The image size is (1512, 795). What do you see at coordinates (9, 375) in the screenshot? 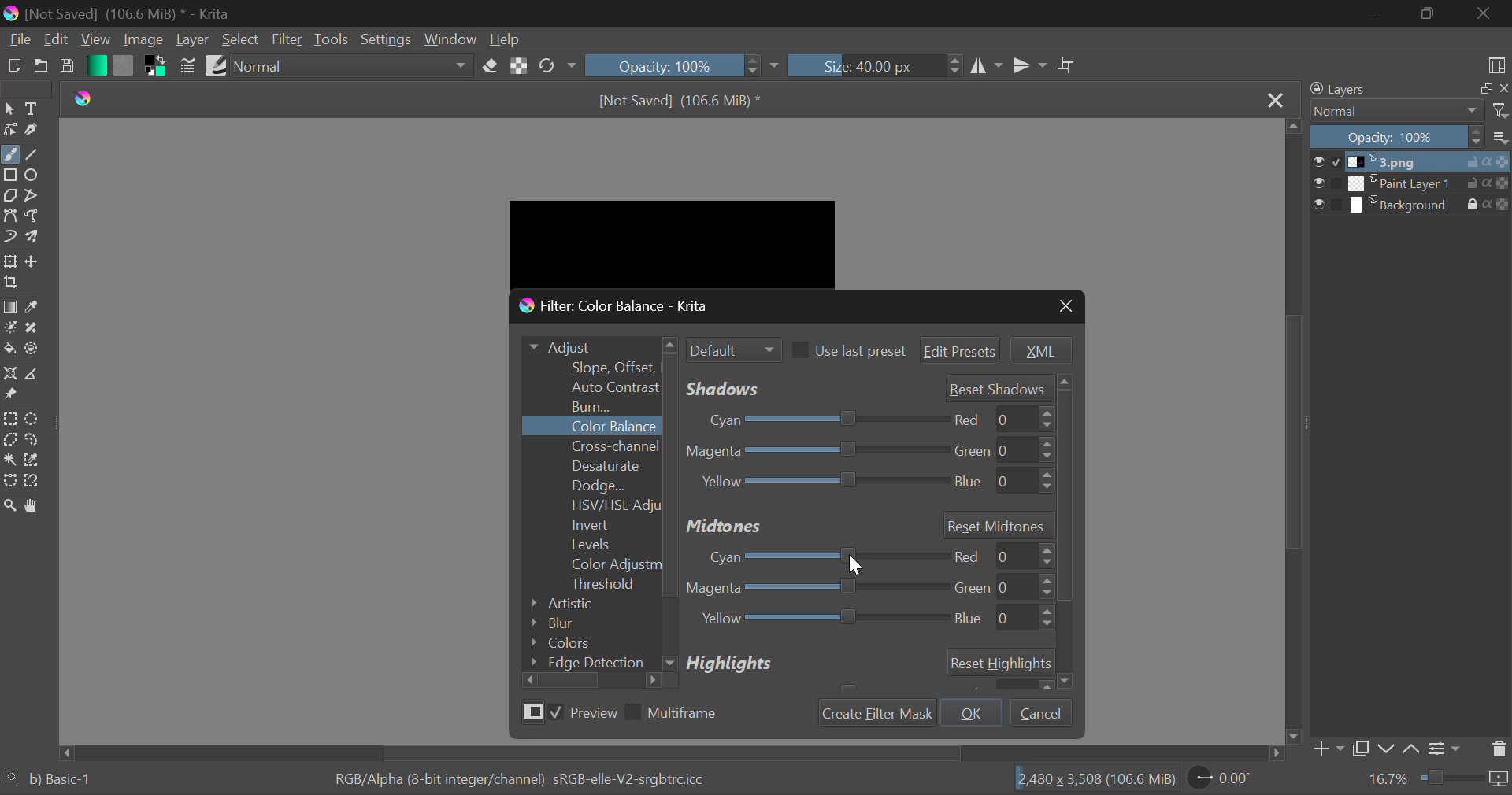
I see `Assistant Tool` at bounding box center [9, 375].